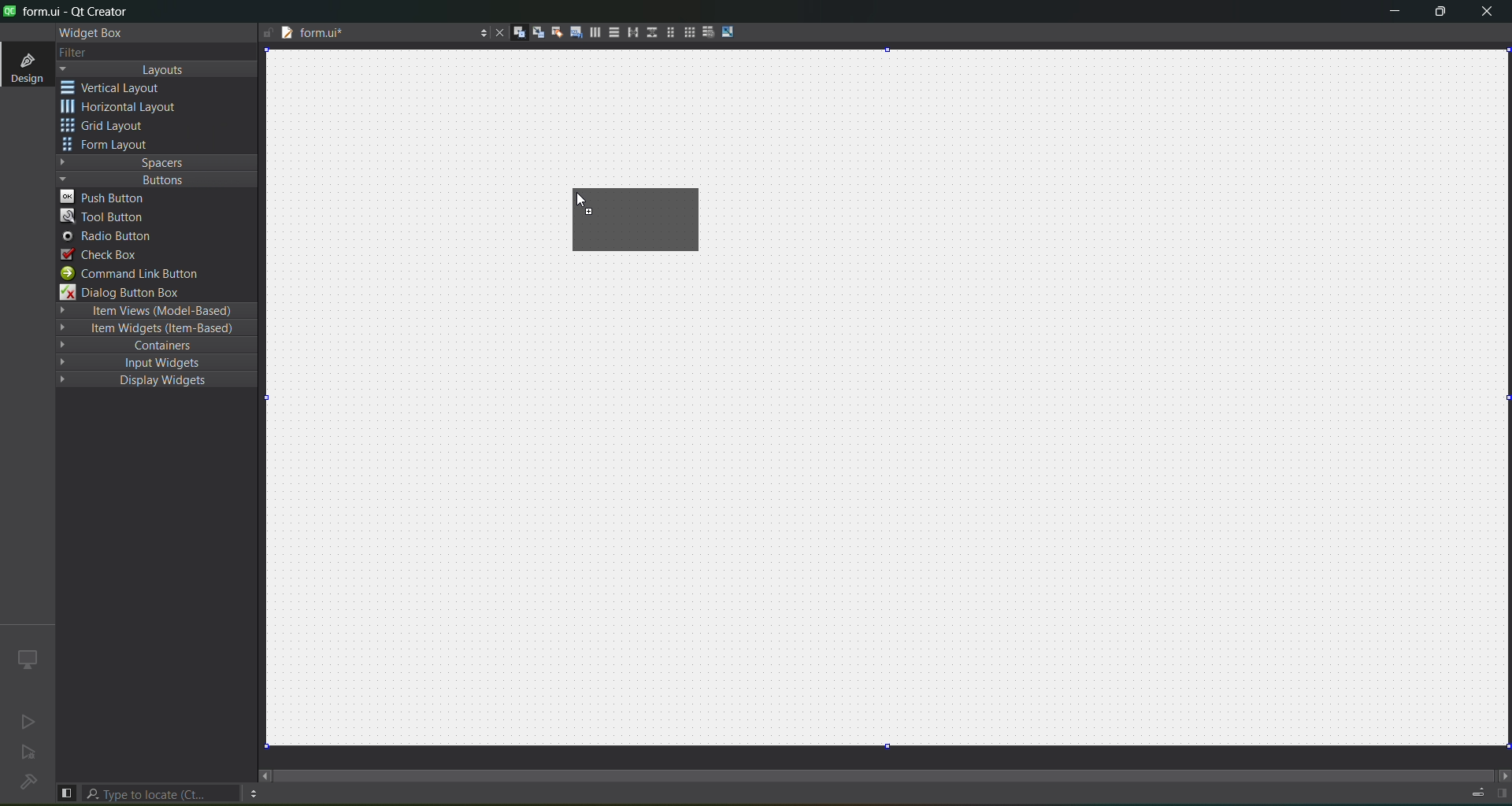  I want to click on tool button, so click(103, 216).